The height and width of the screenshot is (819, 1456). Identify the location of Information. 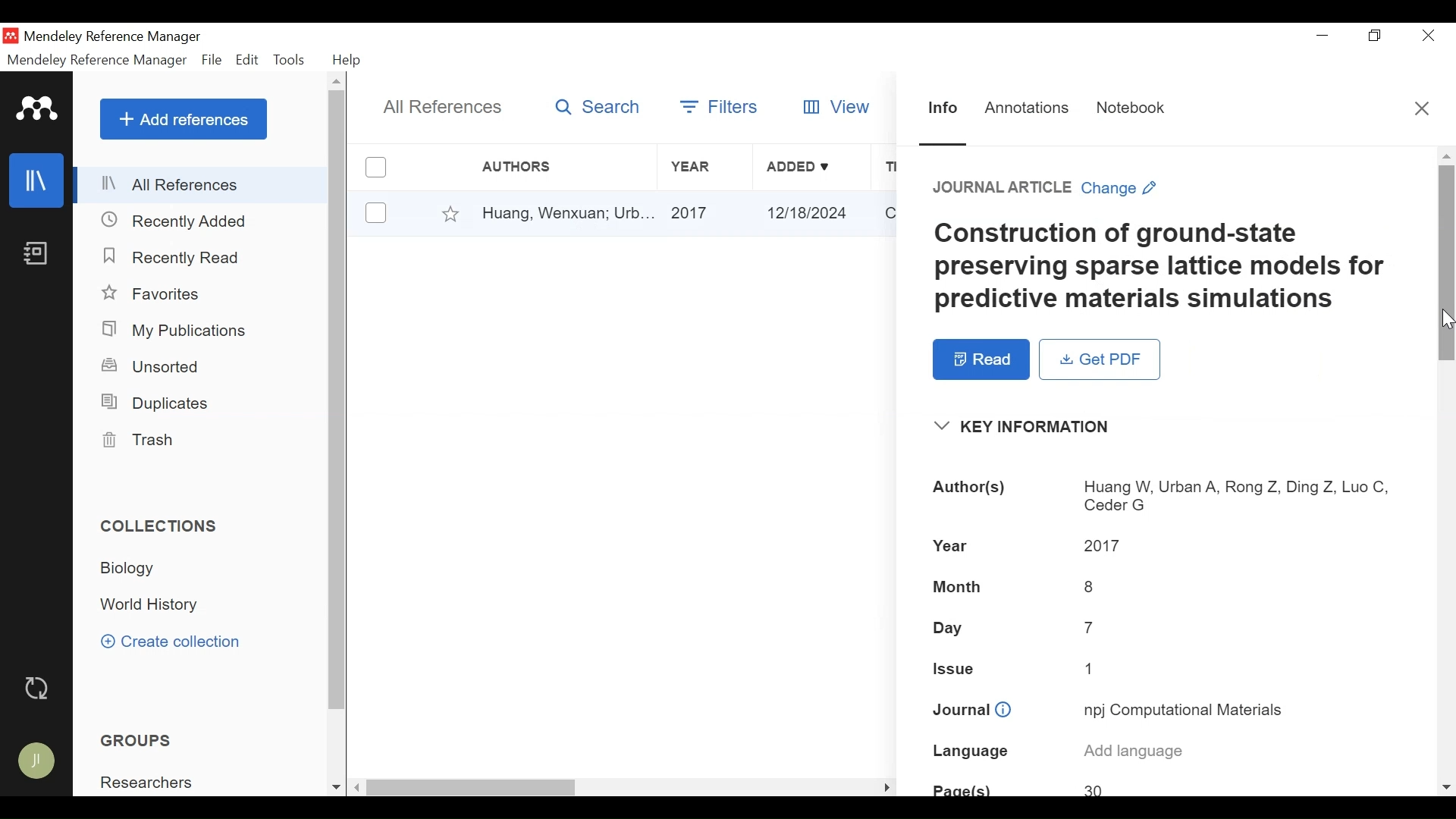
(940, 107).